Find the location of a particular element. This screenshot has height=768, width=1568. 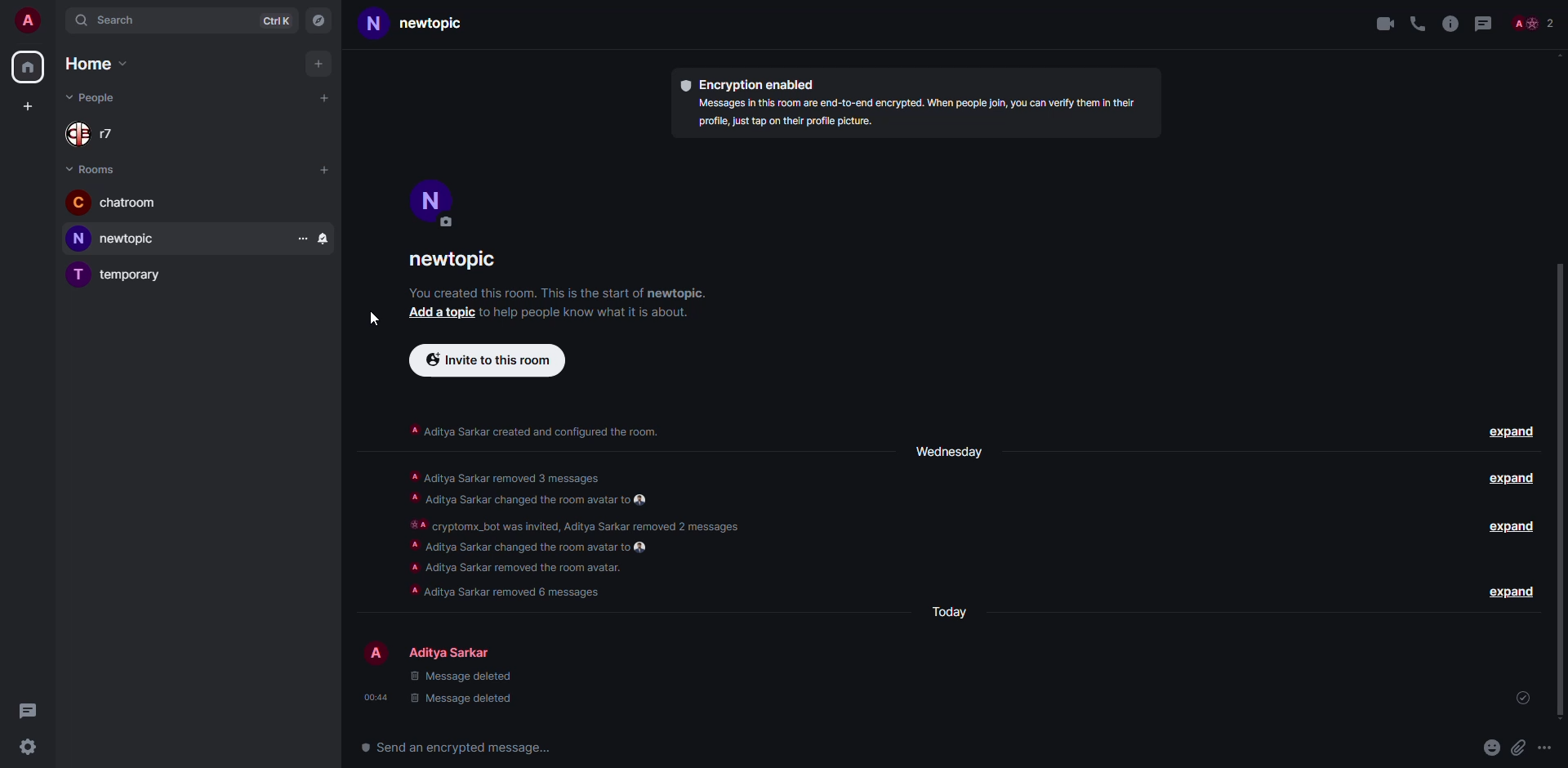

room is located at coordinates (457, 261).